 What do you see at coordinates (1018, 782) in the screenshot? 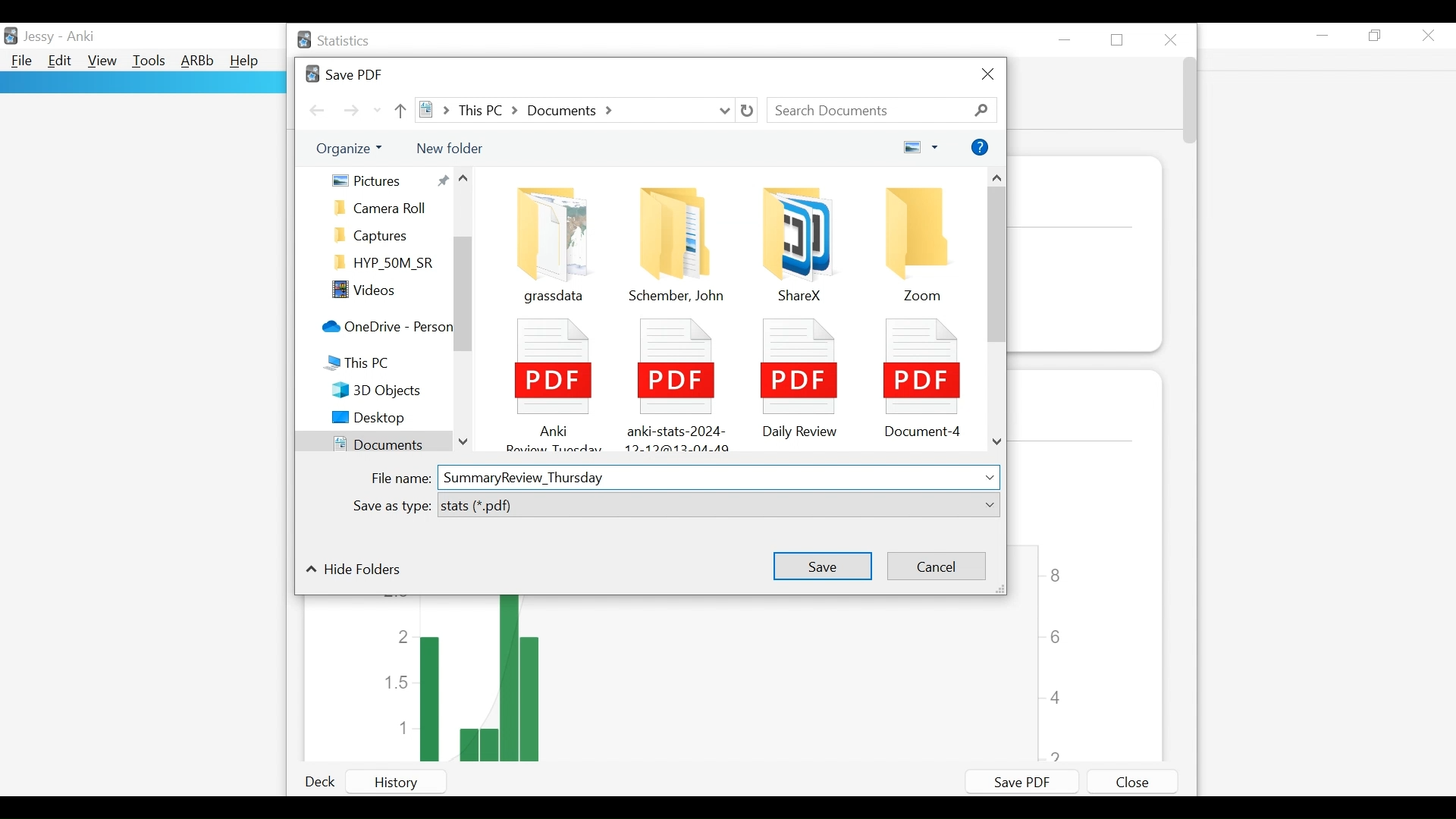
I see `Save PDF` at bounding box center [1018, 782].